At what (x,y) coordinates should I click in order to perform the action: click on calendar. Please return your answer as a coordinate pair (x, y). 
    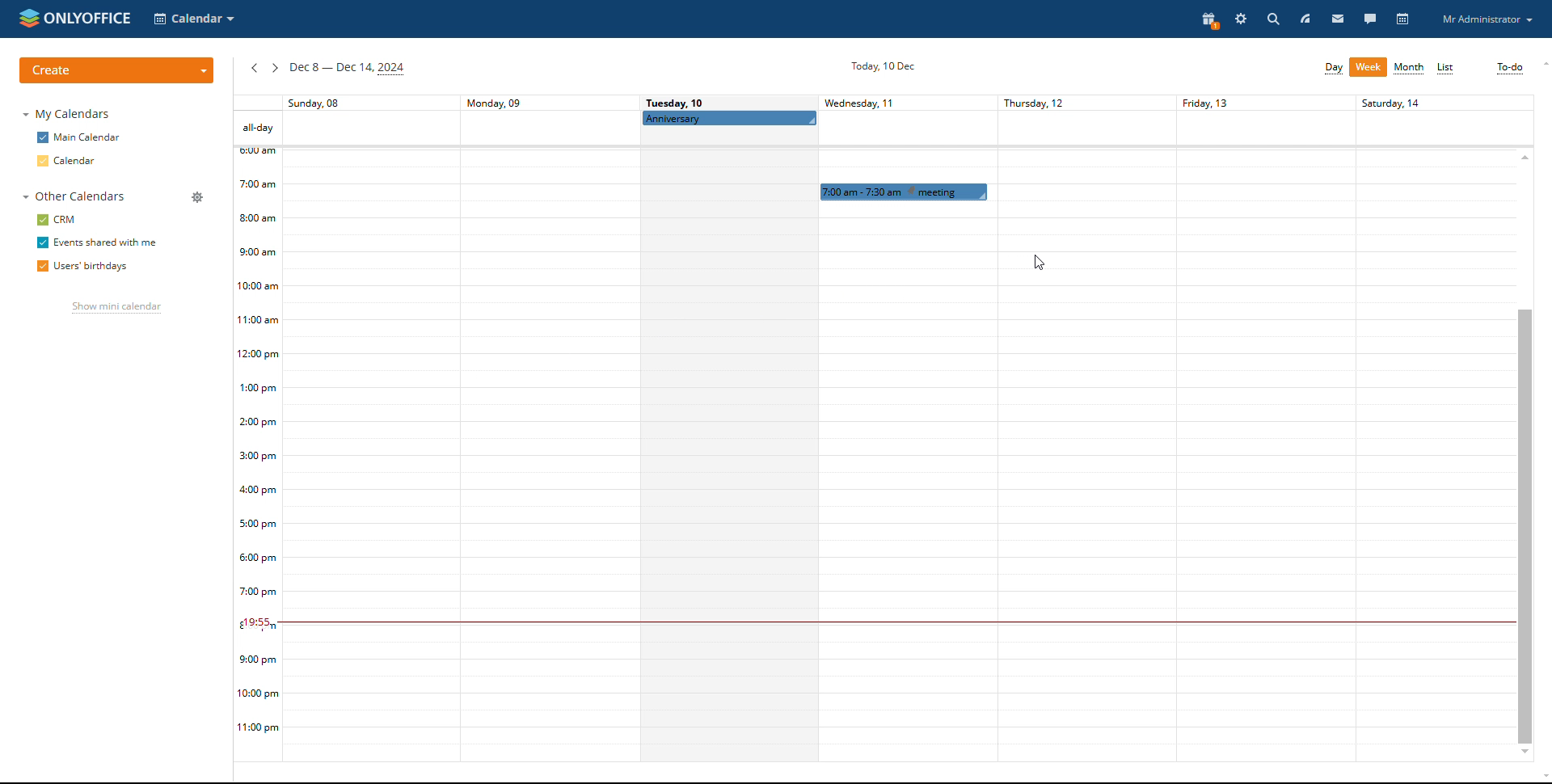
    Looking at the image, I should click on (1404, 19).